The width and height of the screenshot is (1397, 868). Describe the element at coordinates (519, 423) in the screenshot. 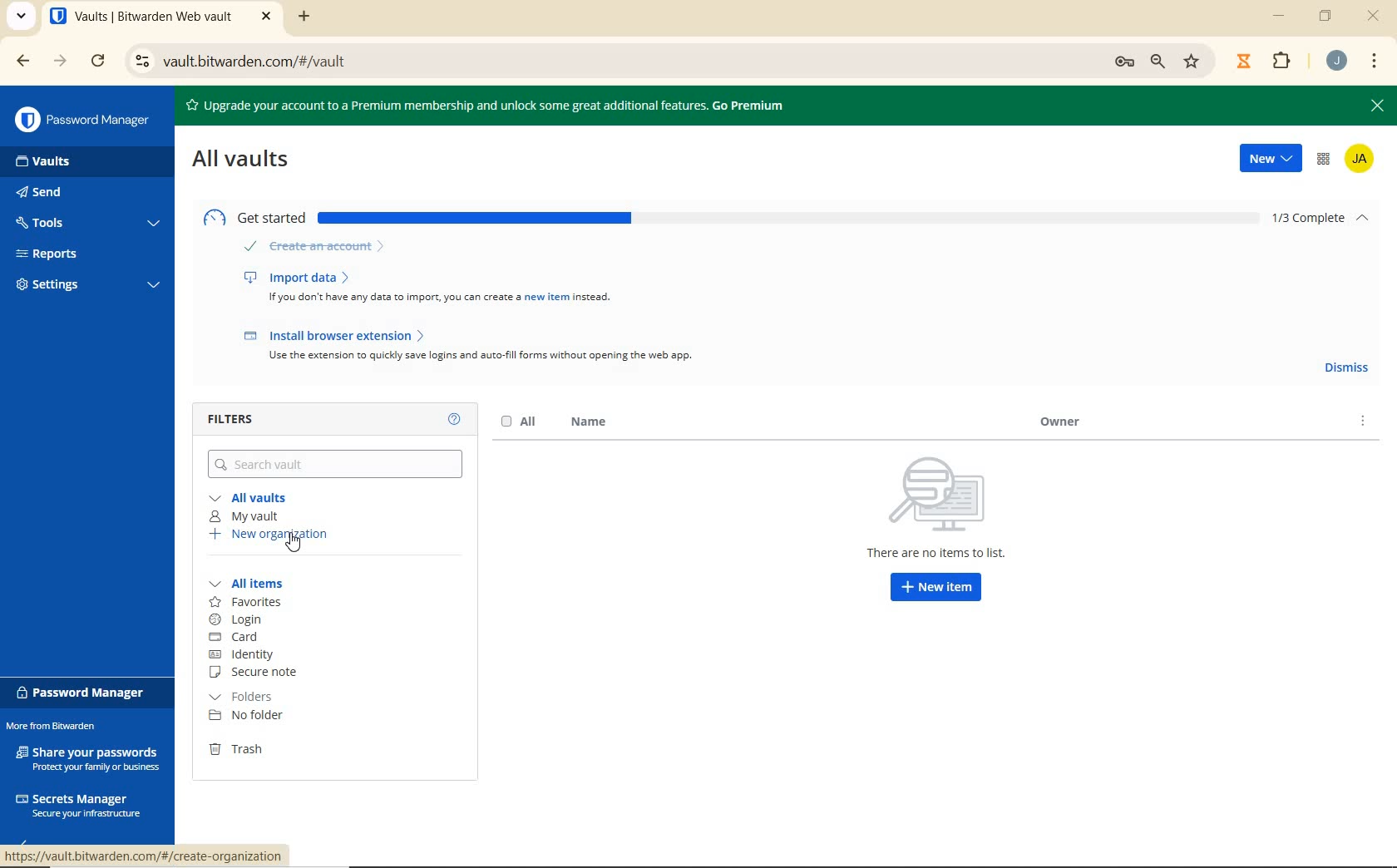

I see `all` at that location.